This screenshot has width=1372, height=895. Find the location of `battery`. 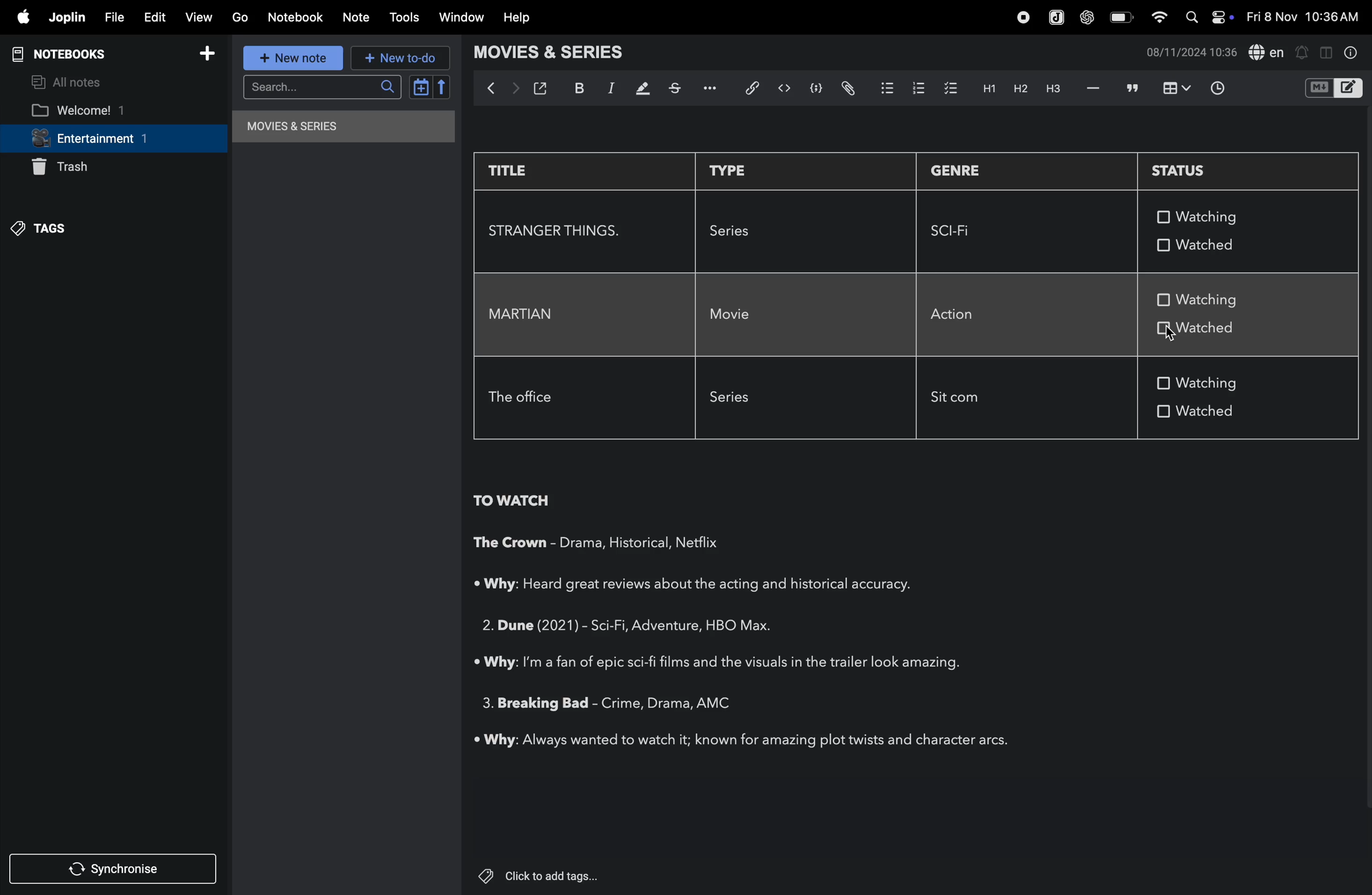

battery is located at coordinates (1120, 17).